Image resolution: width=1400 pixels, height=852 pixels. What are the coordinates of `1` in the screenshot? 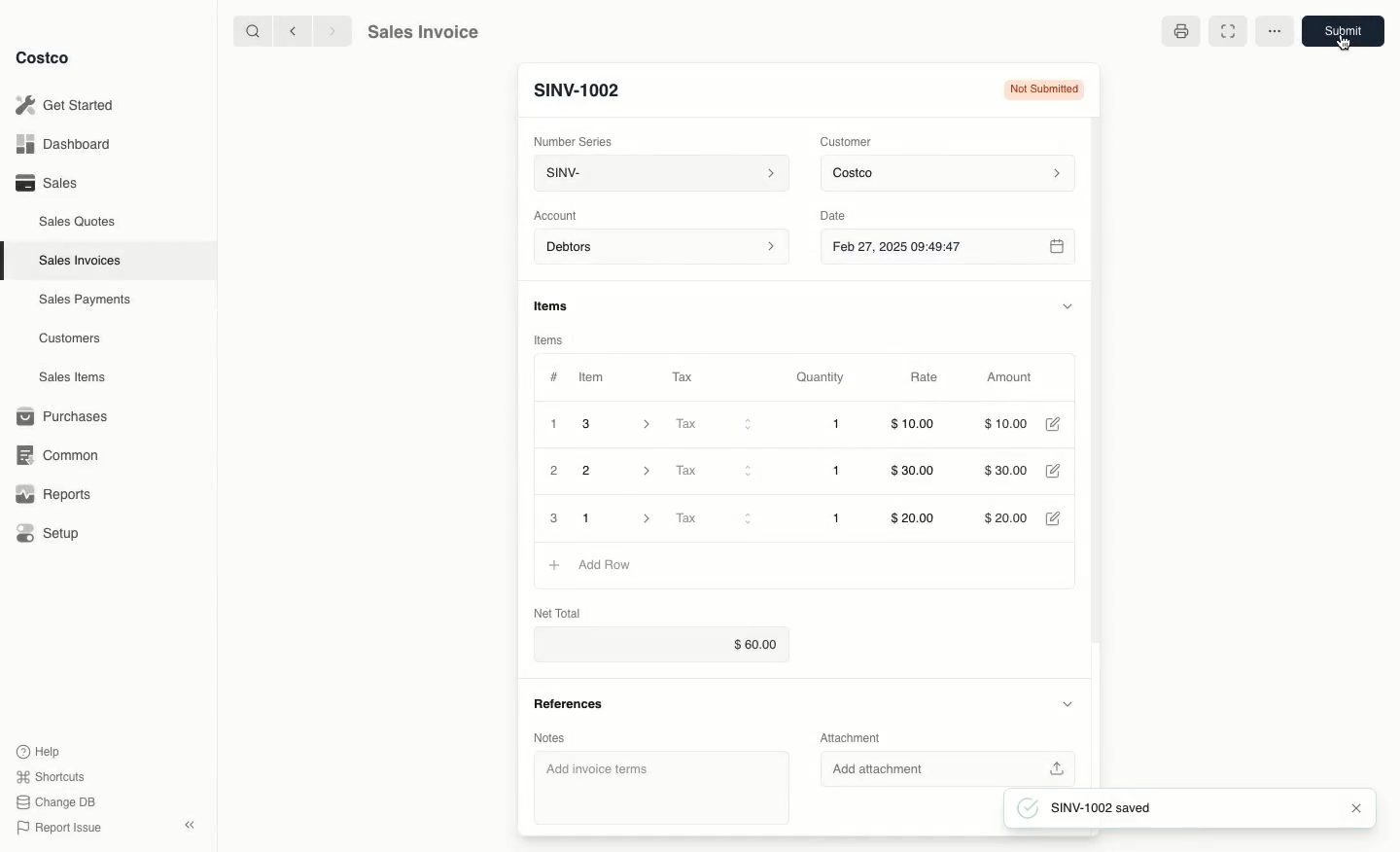 It's located at (836, 518).